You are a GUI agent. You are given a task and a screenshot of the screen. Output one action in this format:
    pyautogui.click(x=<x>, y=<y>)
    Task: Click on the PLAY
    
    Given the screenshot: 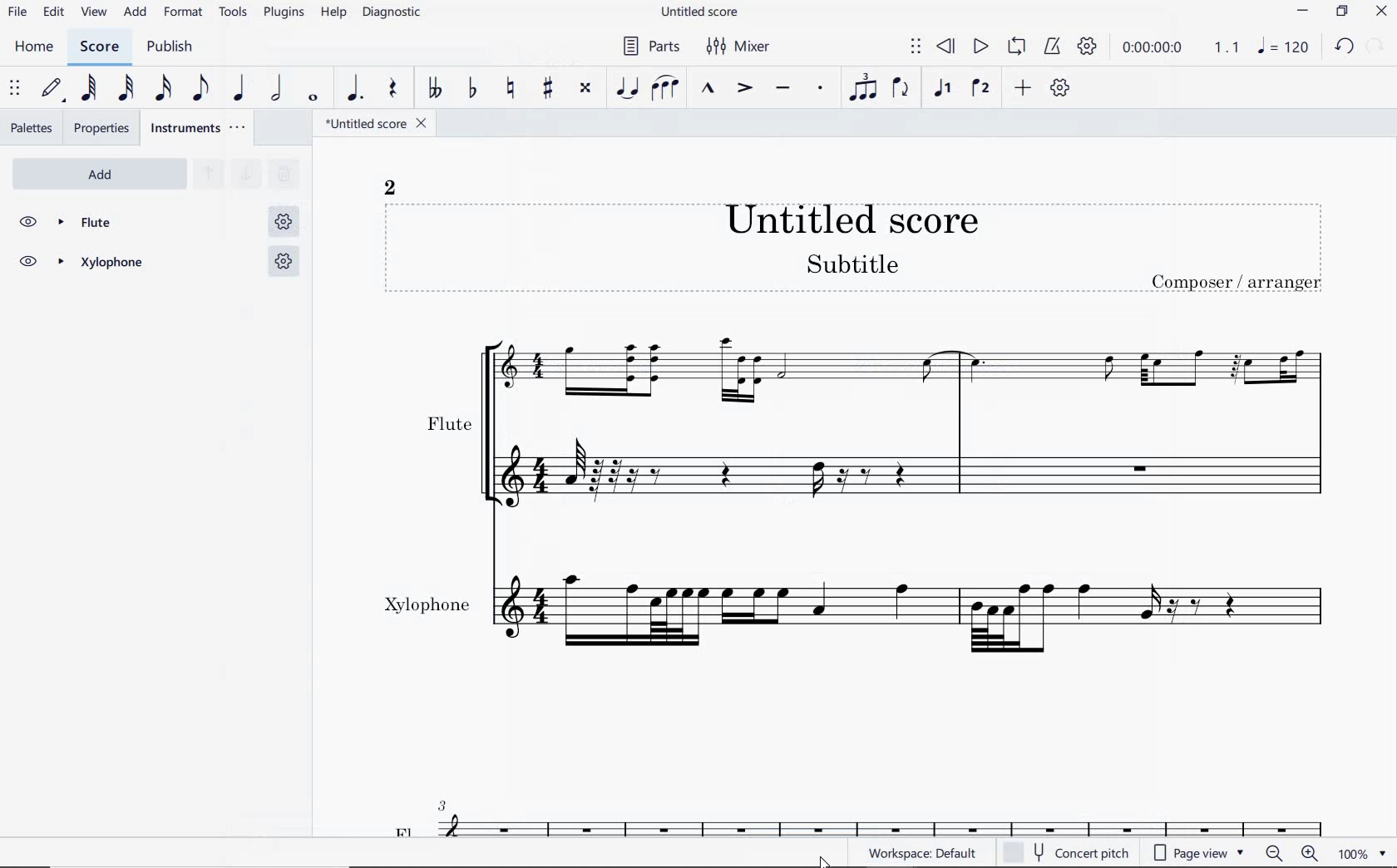 What is the action you would take?
    pyautogui.click(x=980, y=47)
    